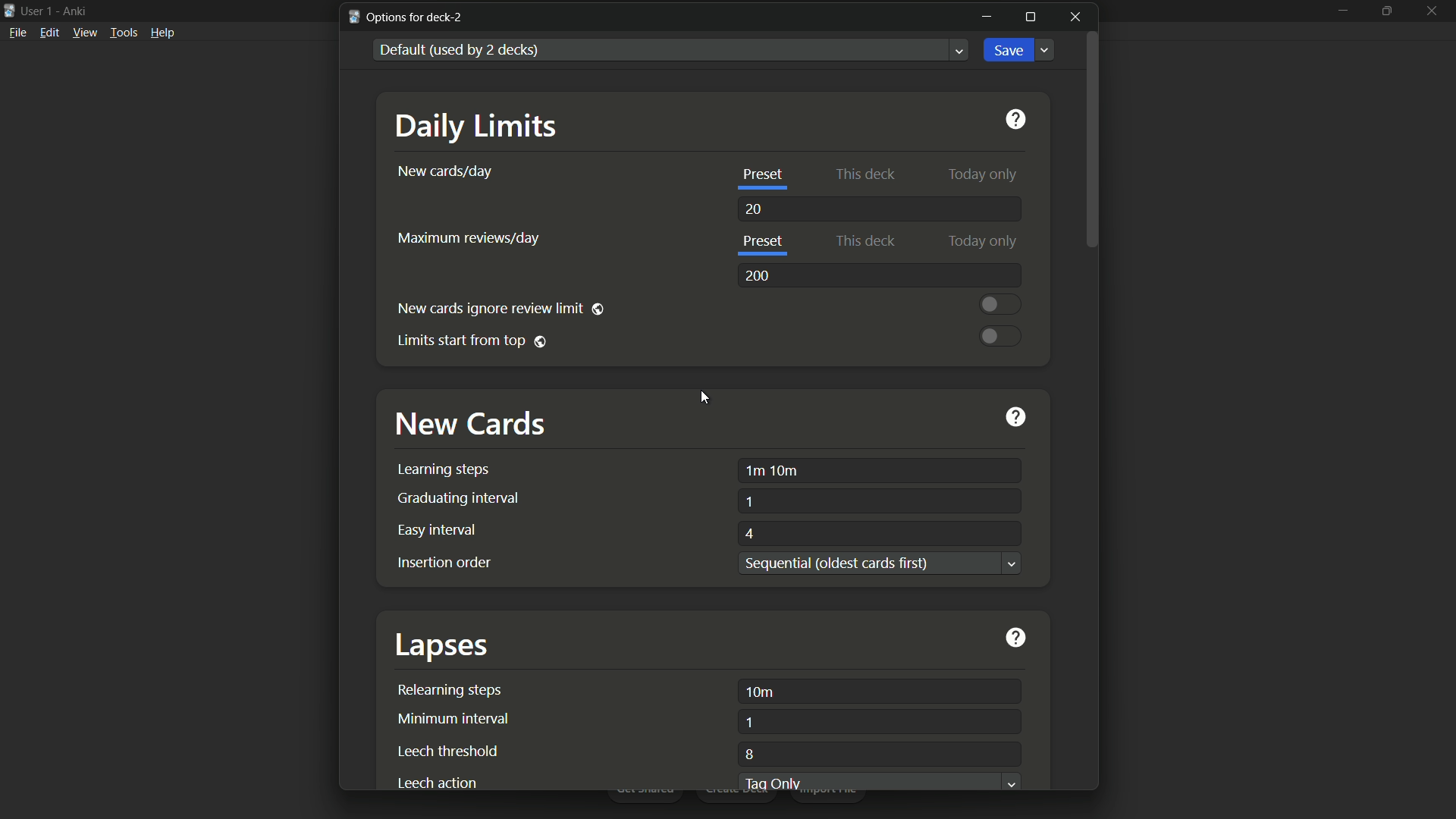  Describe the element at coordinates (457, 497) in the screenshot. I see `graduating interval` at that location.